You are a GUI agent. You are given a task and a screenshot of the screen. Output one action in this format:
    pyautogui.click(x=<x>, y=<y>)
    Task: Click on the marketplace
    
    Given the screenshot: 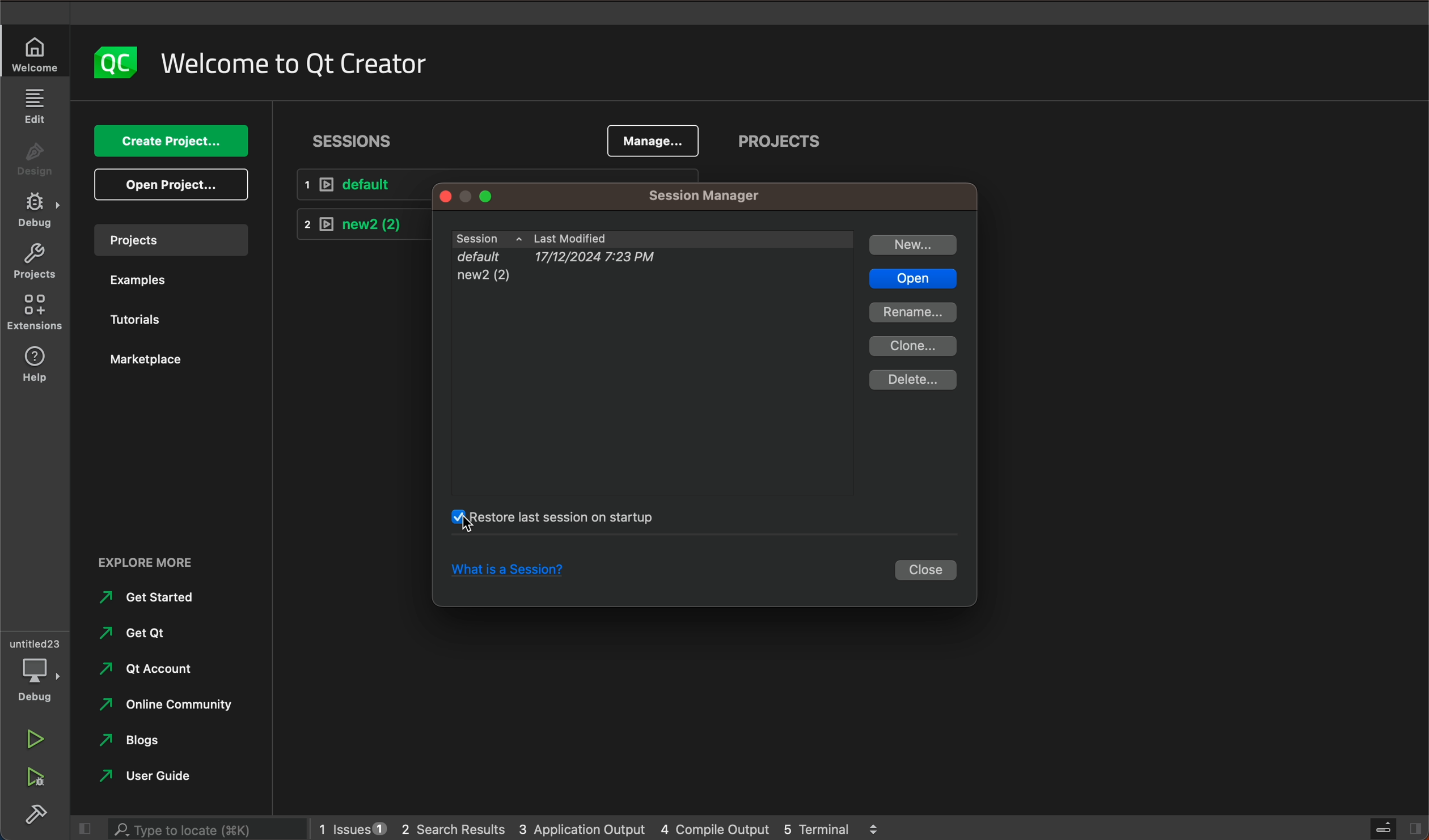 What is the action you would take?
    pyautogui.click(x=137, y=362)
    